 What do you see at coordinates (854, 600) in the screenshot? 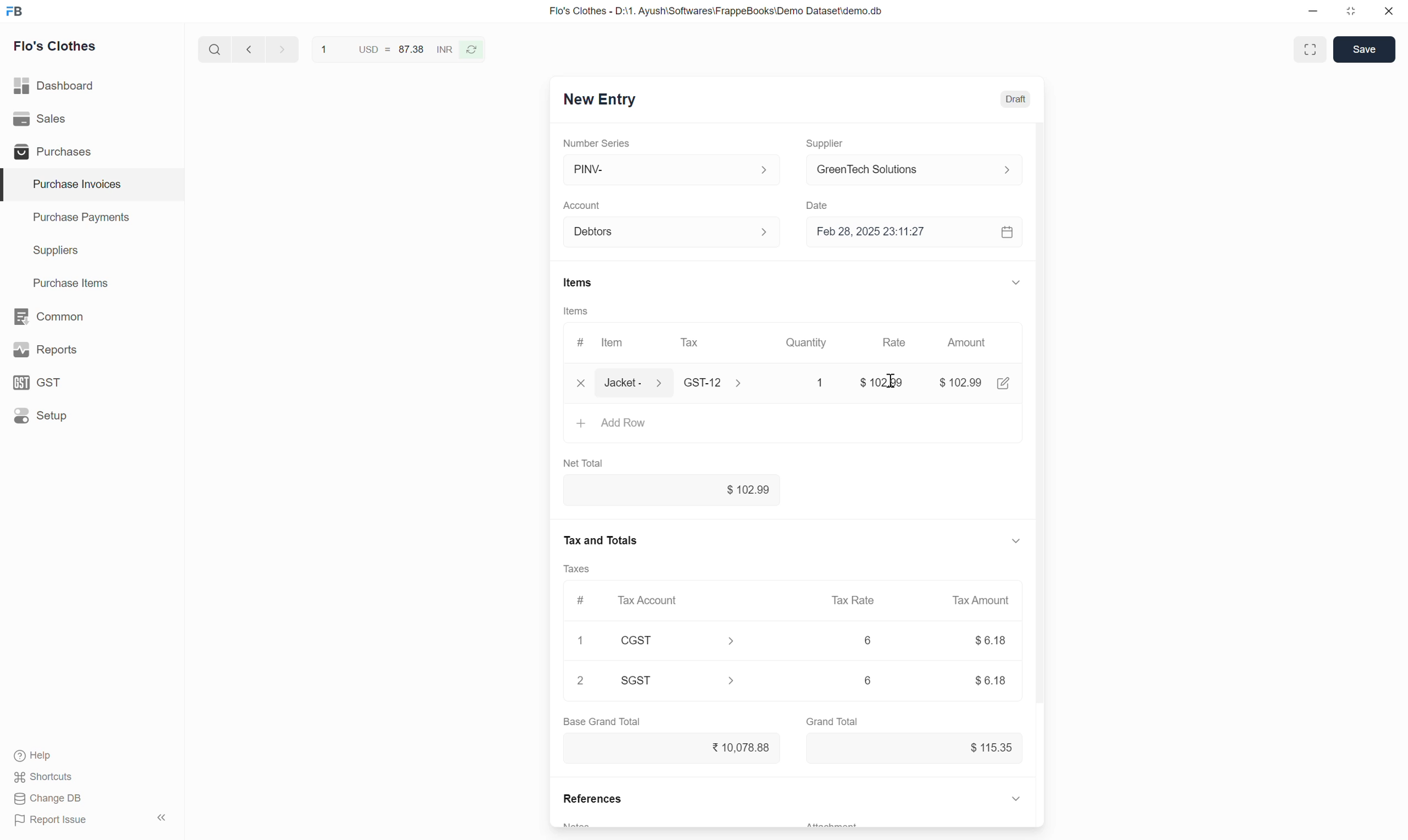
I see `Tax Rate` at bounding box center [854, 600].